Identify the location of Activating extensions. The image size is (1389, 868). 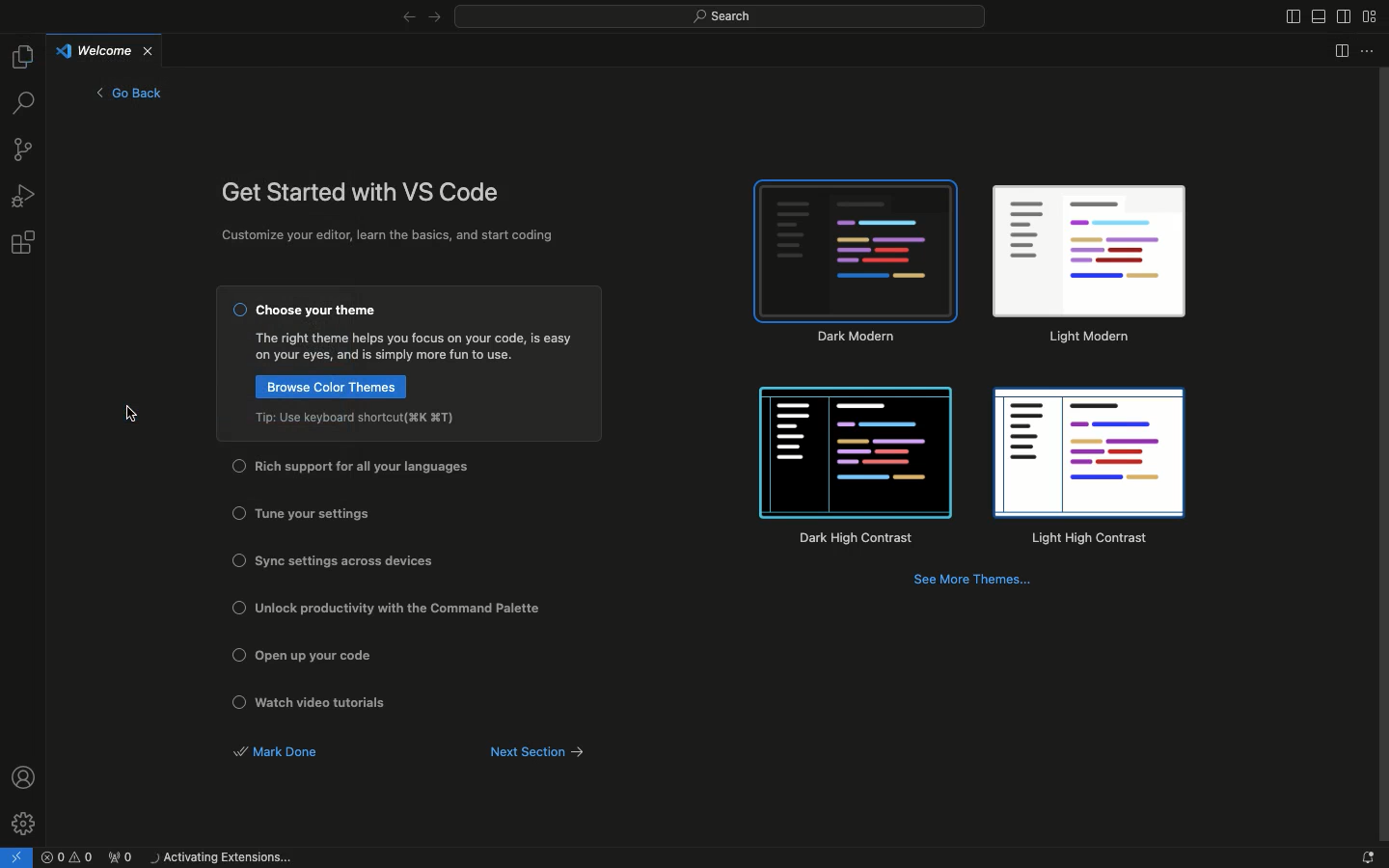
(226, 858).